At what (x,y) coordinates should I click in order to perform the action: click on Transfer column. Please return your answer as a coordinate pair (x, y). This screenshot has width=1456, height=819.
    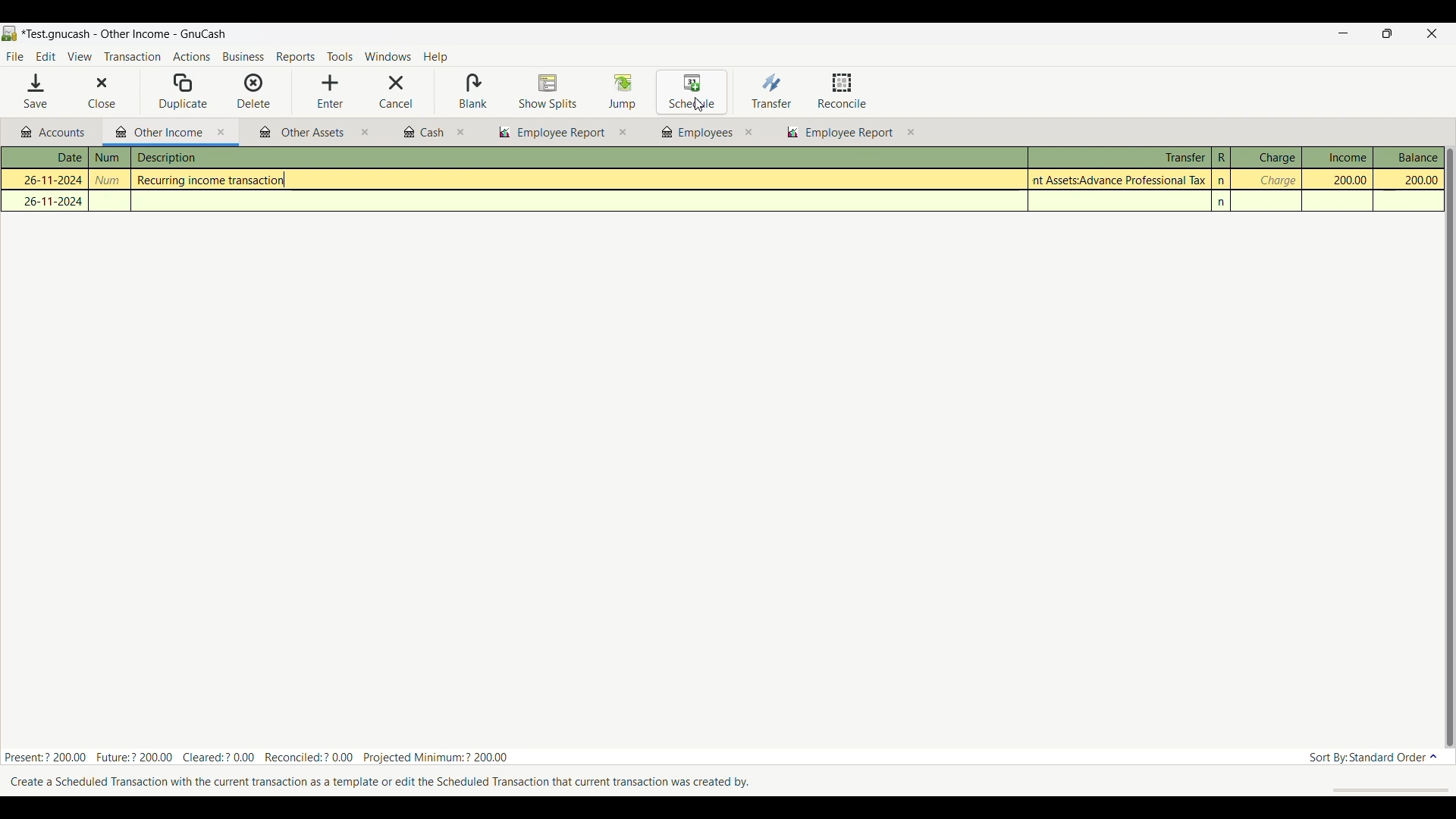
    Looking at the image, I should click on (1119, 155).